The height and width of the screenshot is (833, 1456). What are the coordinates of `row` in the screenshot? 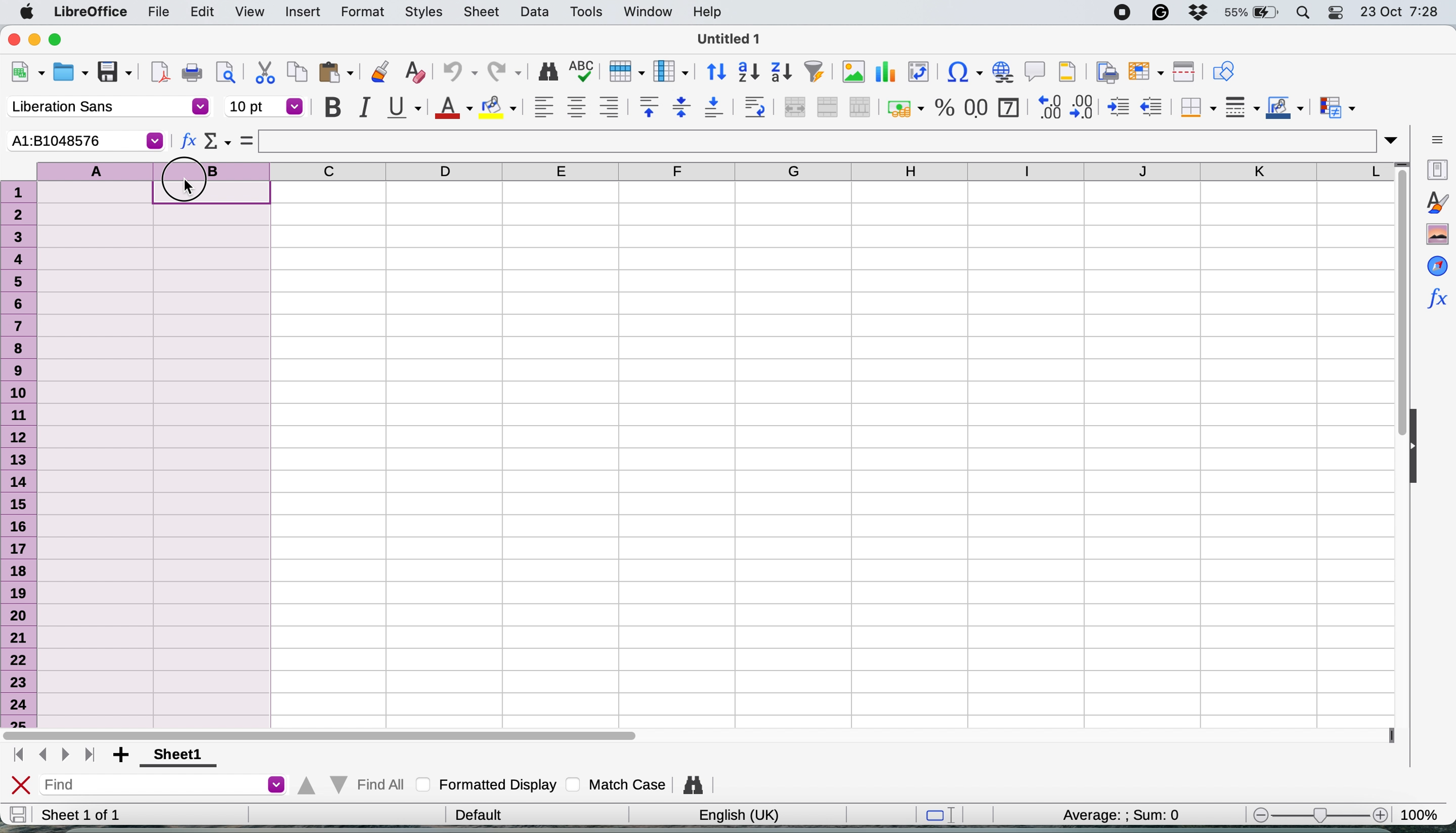 It's located at (627, 72).